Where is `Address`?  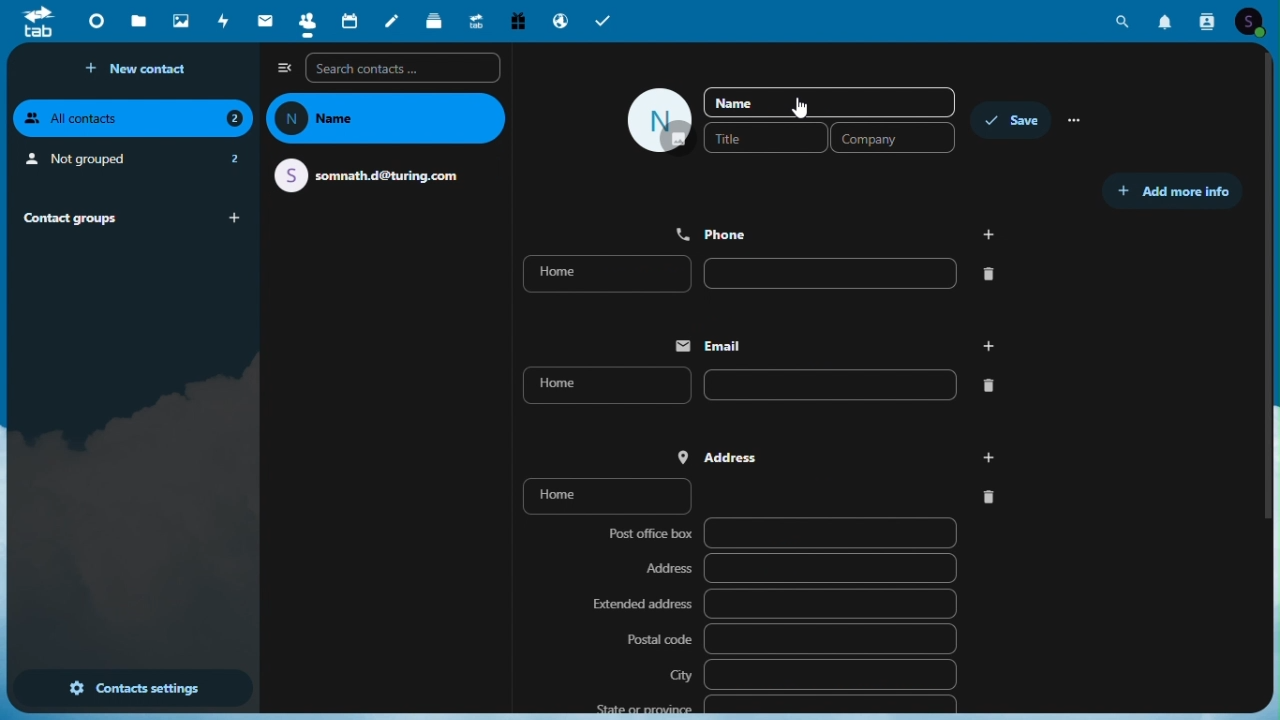 Address is located at coordinates (840, 454).